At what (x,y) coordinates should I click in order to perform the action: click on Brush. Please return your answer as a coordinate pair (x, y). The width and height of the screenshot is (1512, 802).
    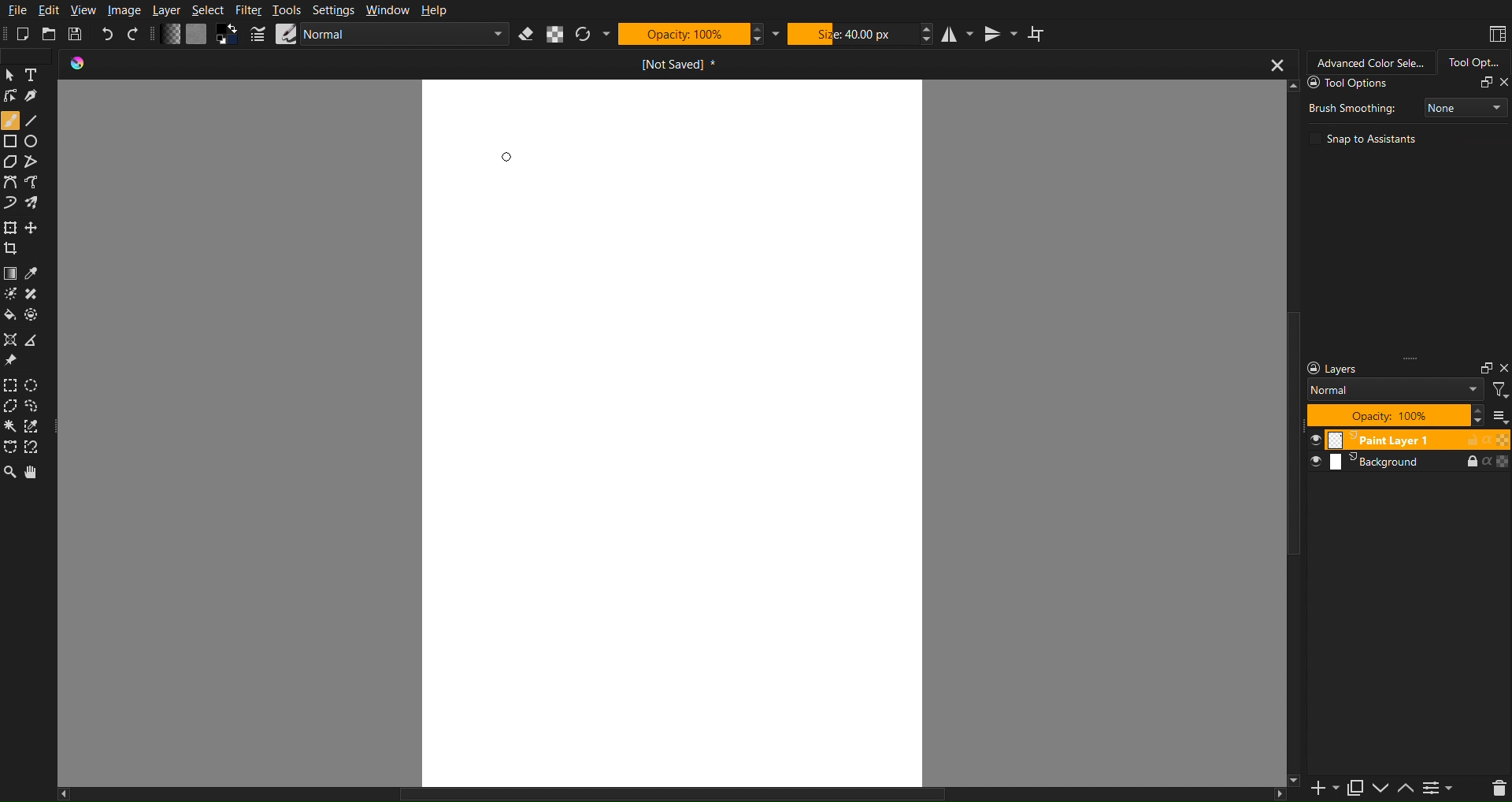
    Looking at the image, I should click on (9, 291).